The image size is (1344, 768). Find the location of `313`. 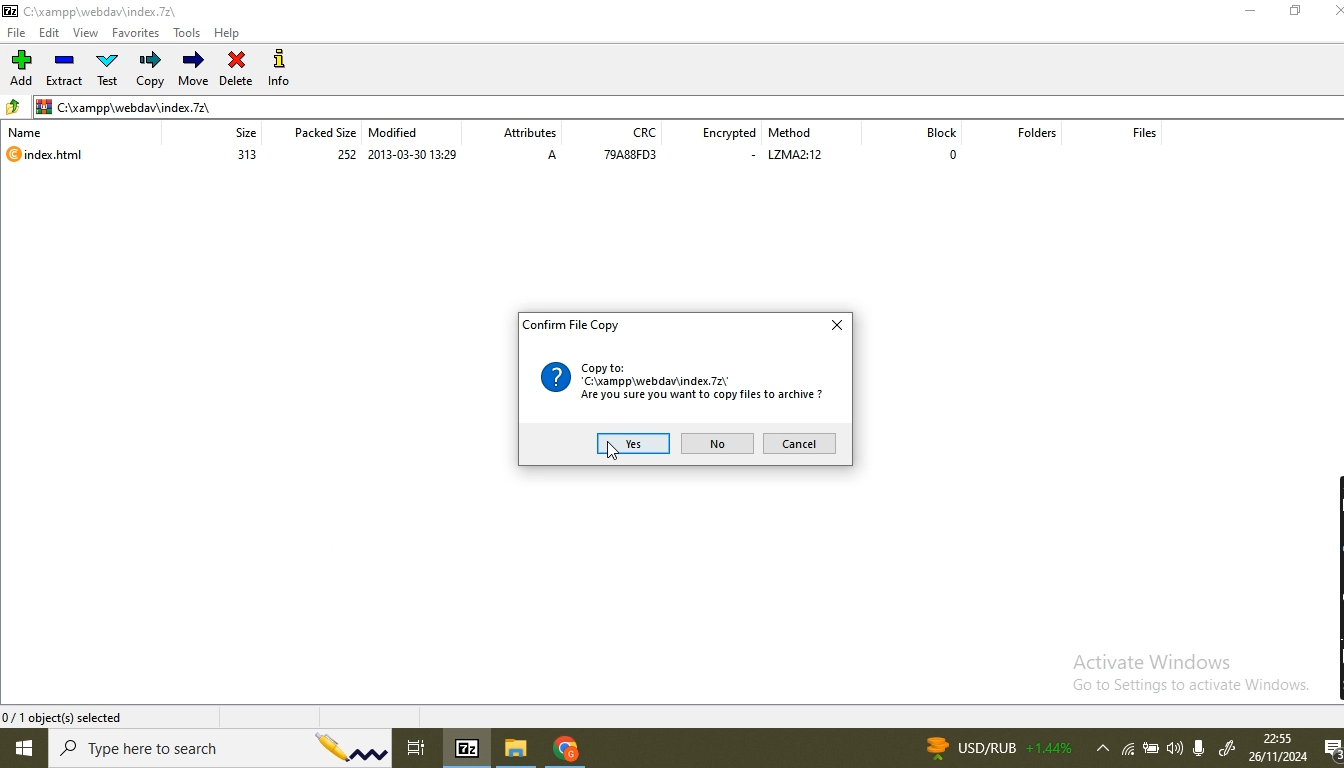

313 is located at coordinates (244, 154).